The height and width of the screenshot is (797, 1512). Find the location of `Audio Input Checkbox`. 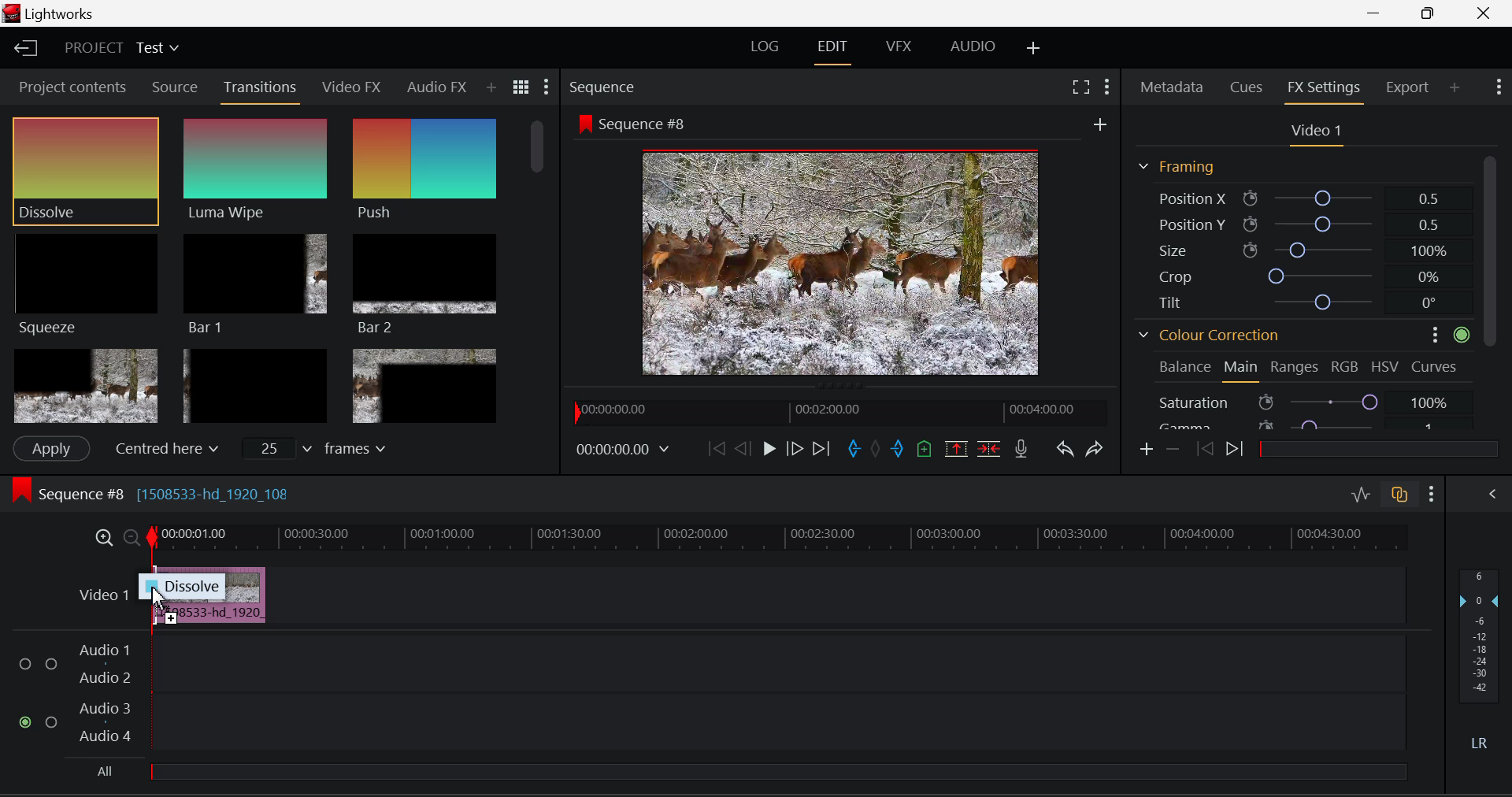

Audio Input Checkbox is located at coordinates (51, 721).